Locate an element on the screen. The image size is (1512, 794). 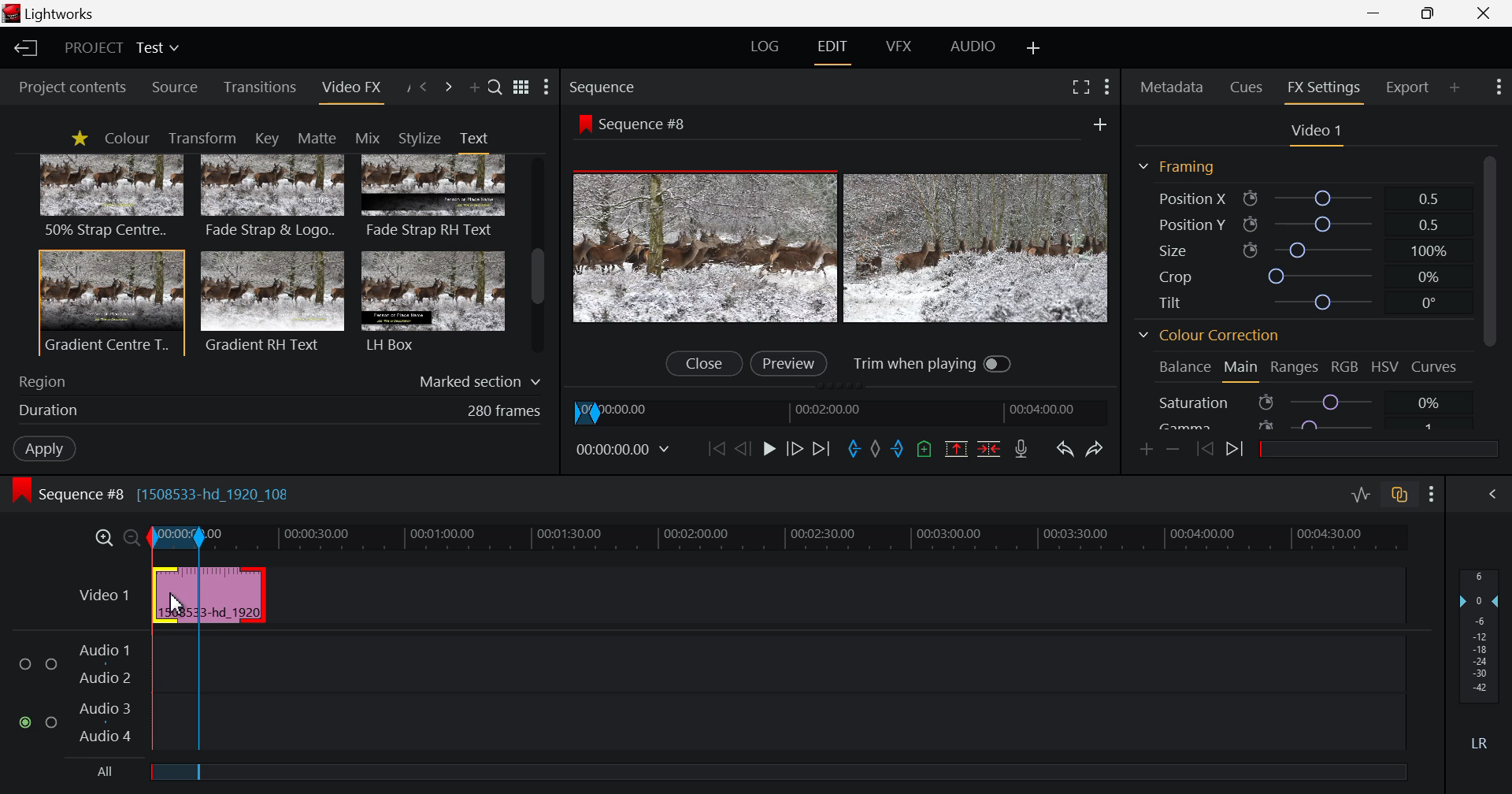
Crop is located at coordinates (1301, 276).